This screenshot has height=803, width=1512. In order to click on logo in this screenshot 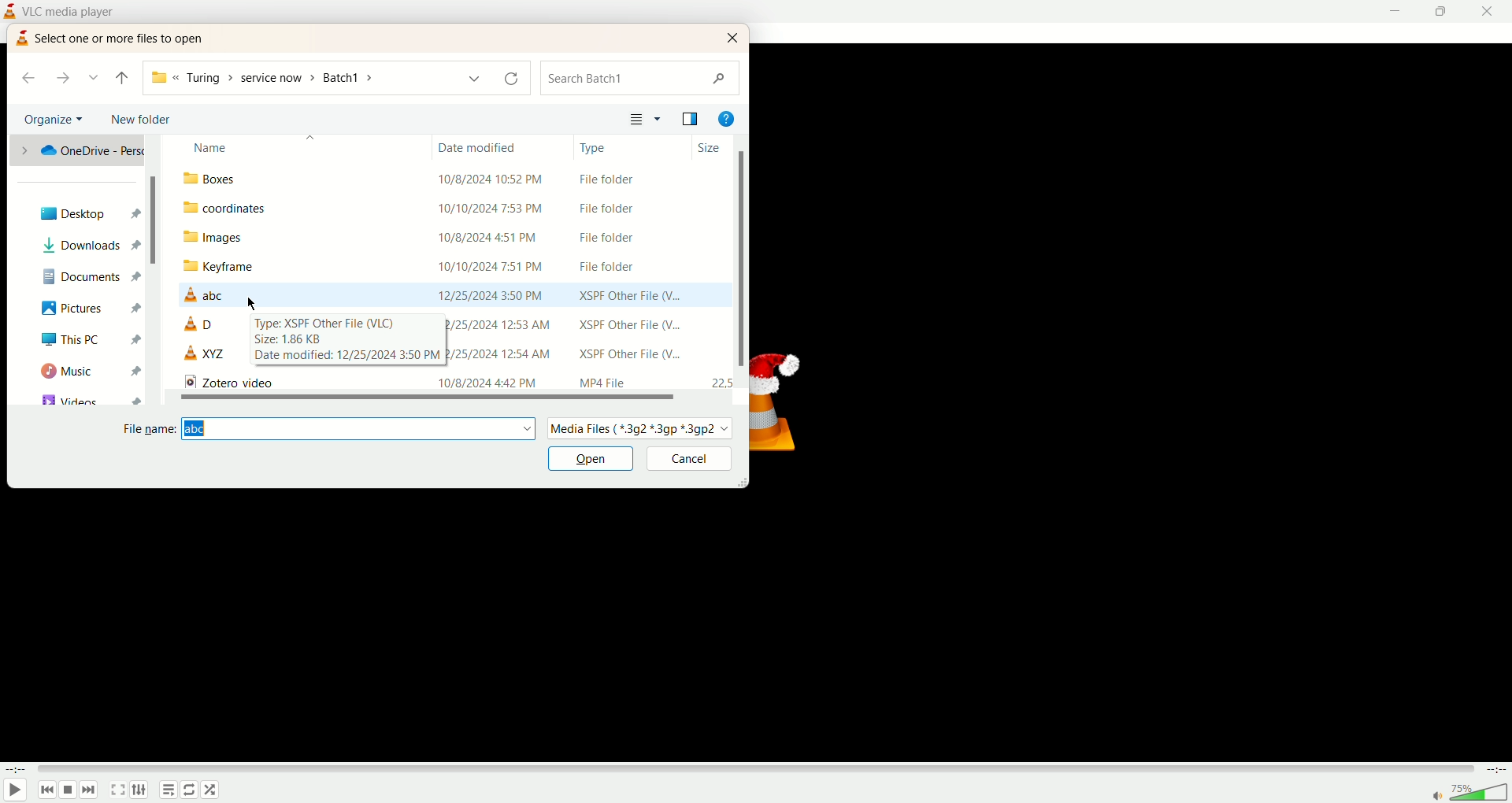, I will do `click(9, 10)`.